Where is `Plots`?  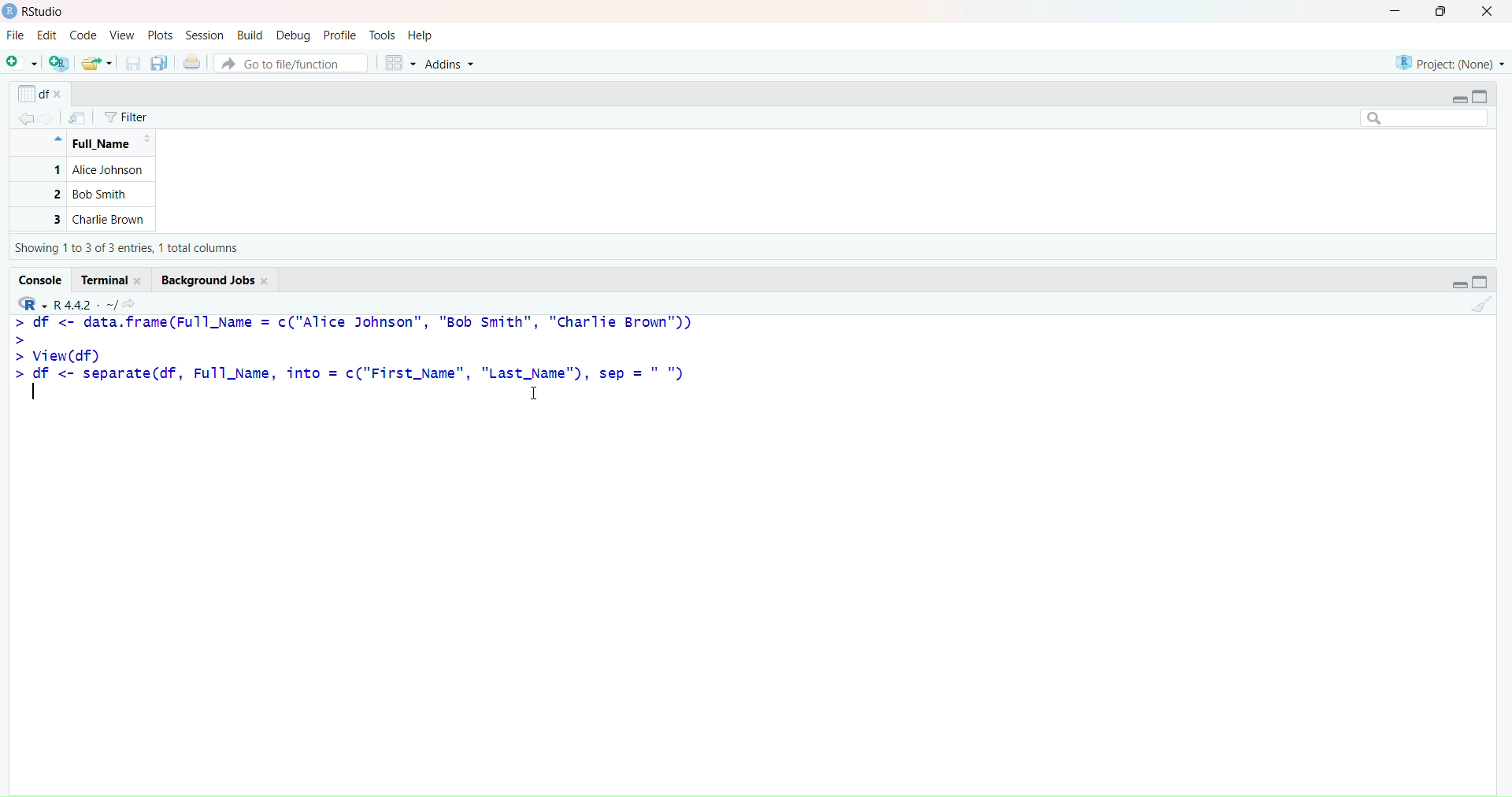
Plots is located at coordinates (163, 35).